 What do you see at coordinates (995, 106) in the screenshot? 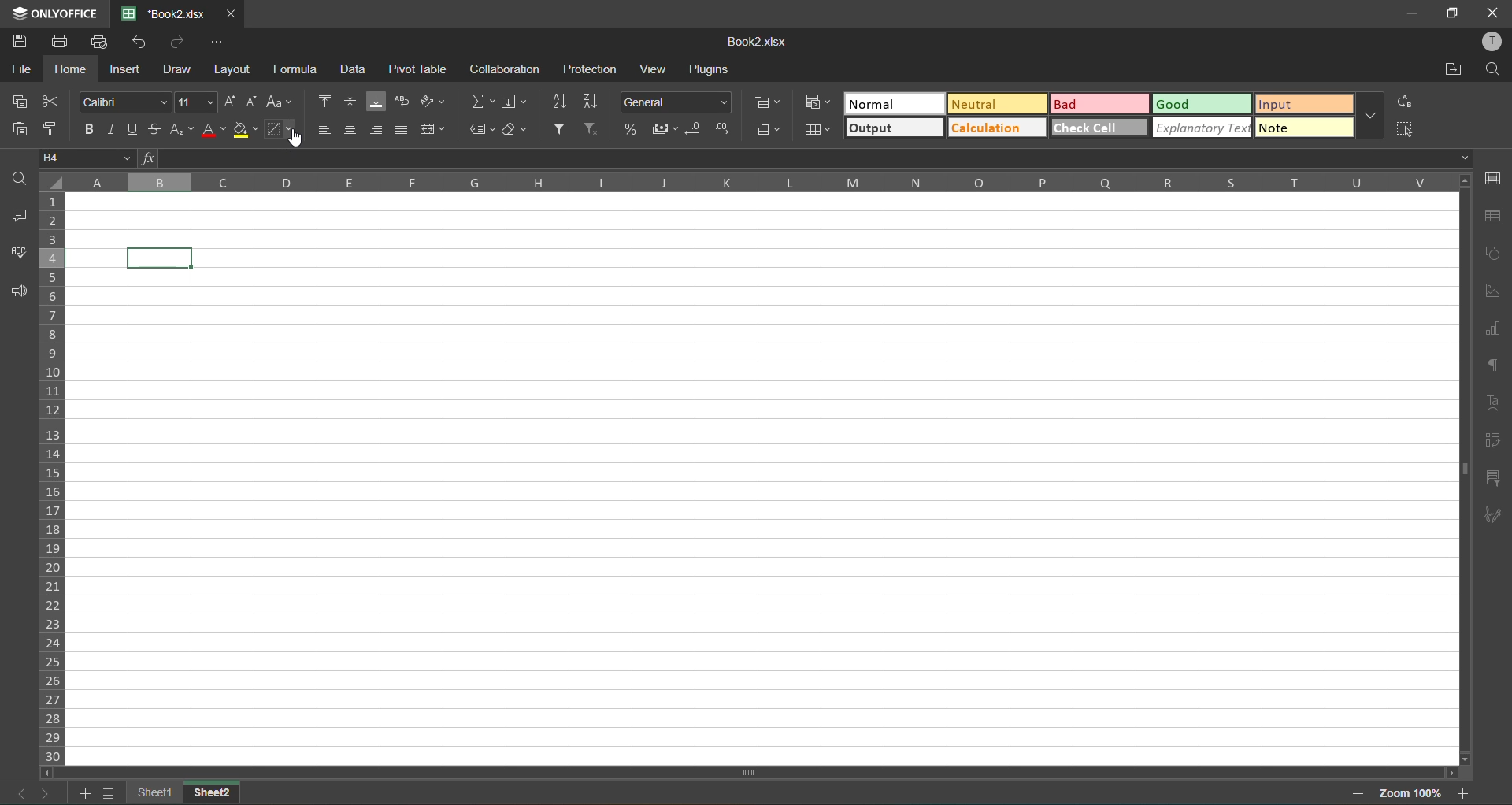
I see `neutral` at bounding box center [995, 106].